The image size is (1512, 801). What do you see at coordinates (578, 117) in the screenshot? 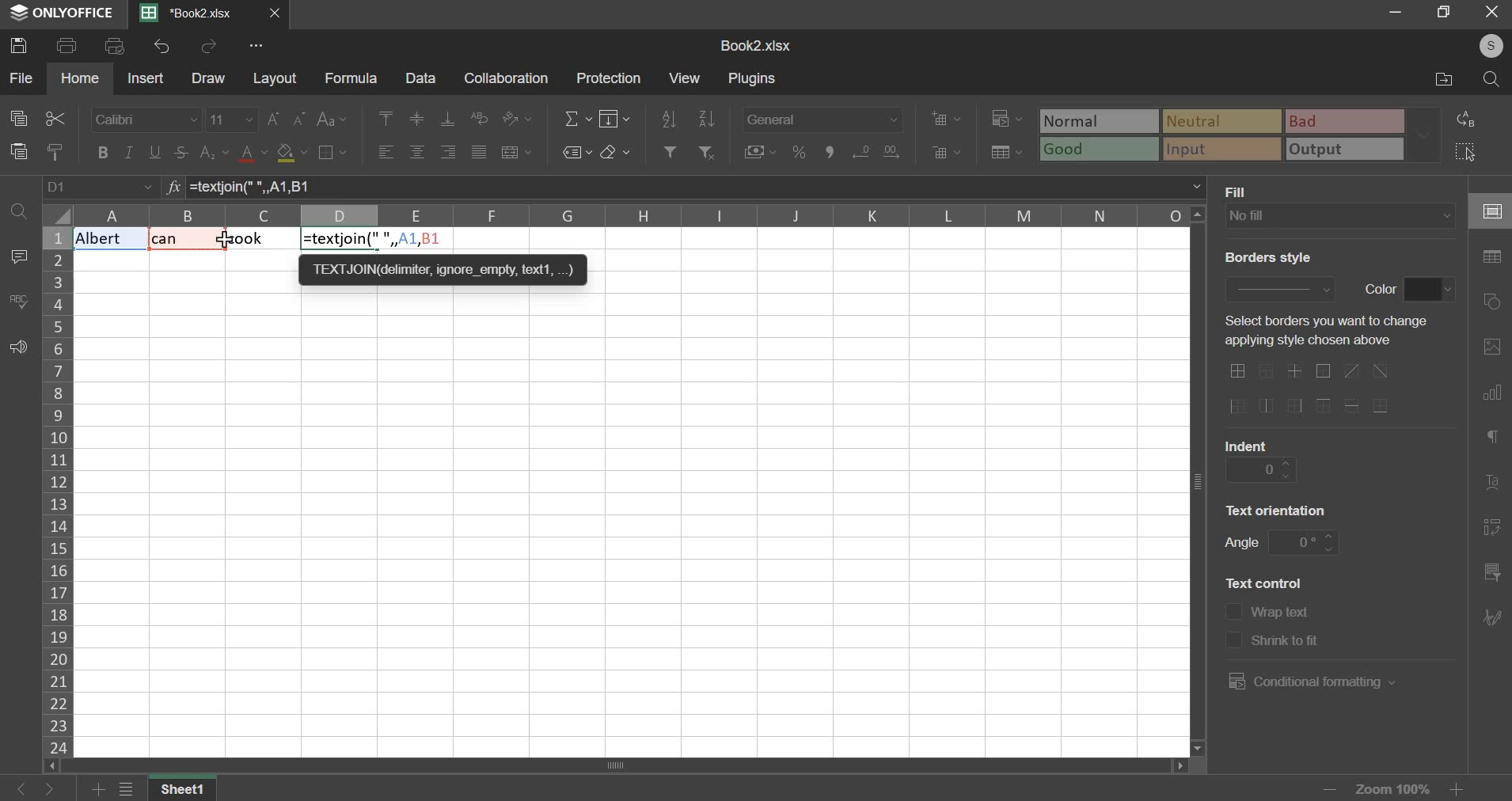
I see `sum` at bounding box center [578, 117].